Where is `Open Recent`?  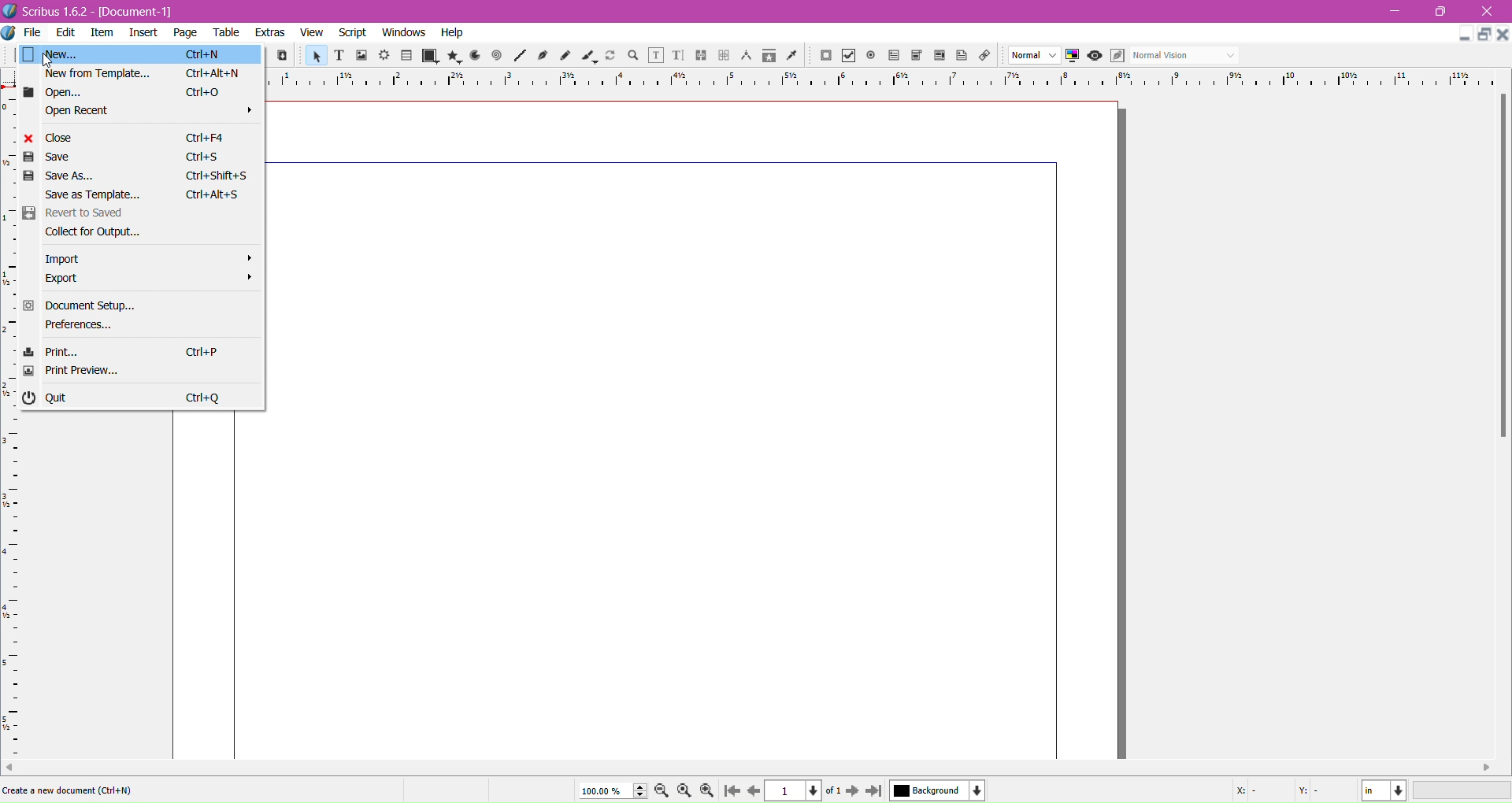 Open Recent is located at coordinates (143, 113).